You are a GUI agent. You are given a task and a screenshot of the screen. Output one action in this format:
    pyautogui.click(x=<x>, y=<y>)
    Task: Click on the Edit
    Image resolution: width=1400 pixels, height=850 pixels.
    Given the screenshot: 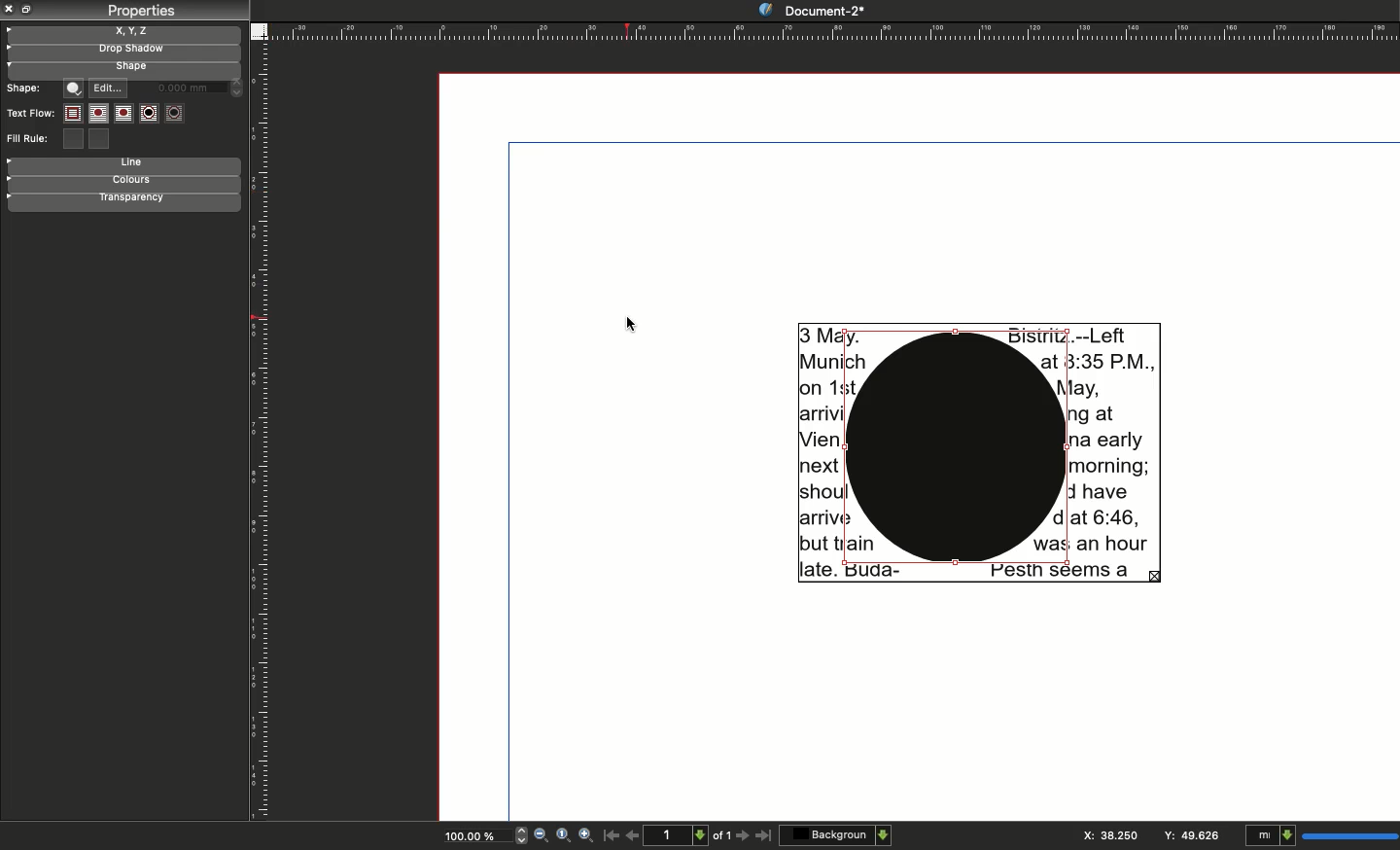 What is the action you would take?
    pyautogui.click(x=108, y=85)
    